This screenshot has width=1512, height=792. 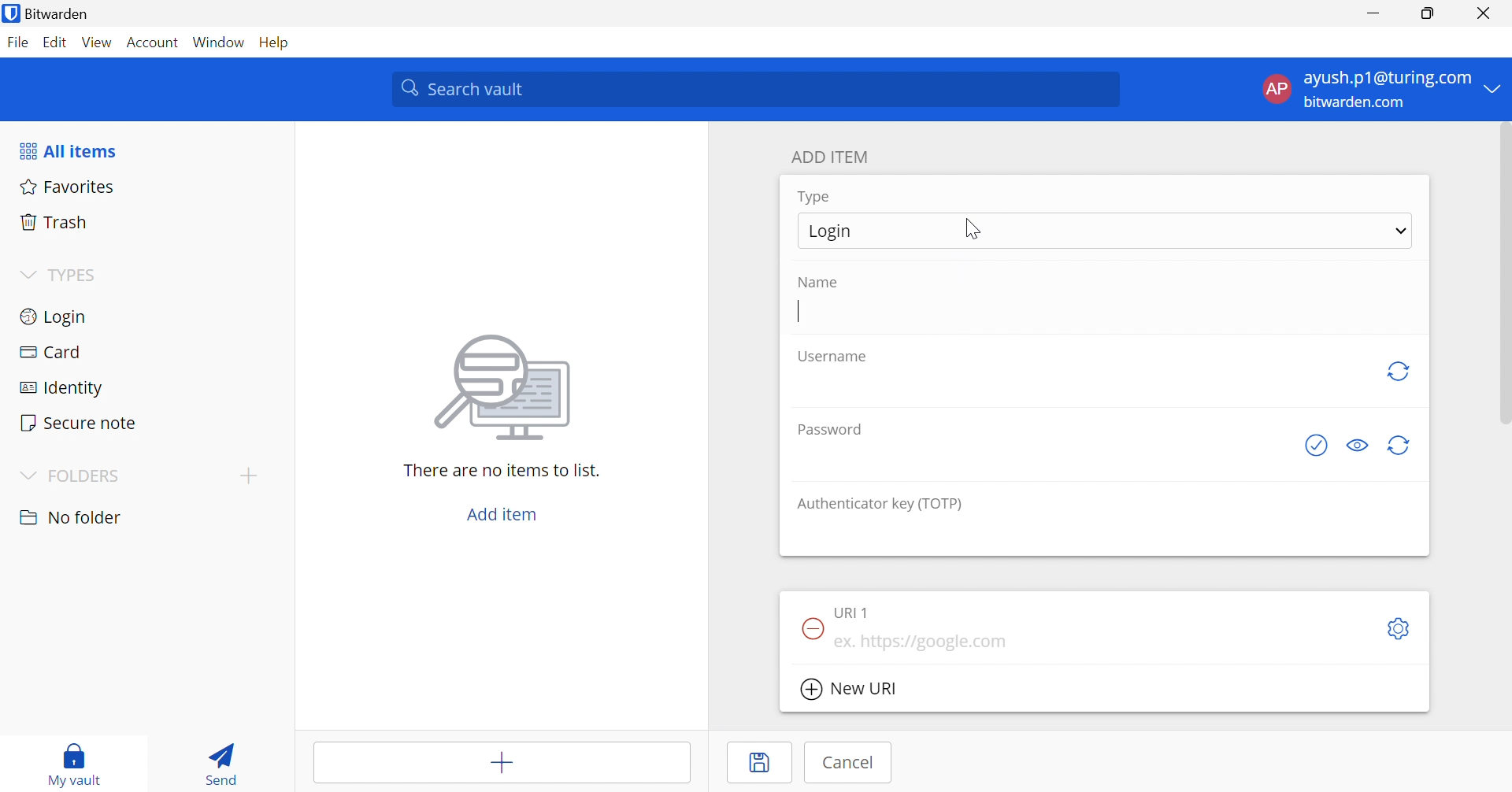 I want to click on Remove, so click(x=814, y=629).